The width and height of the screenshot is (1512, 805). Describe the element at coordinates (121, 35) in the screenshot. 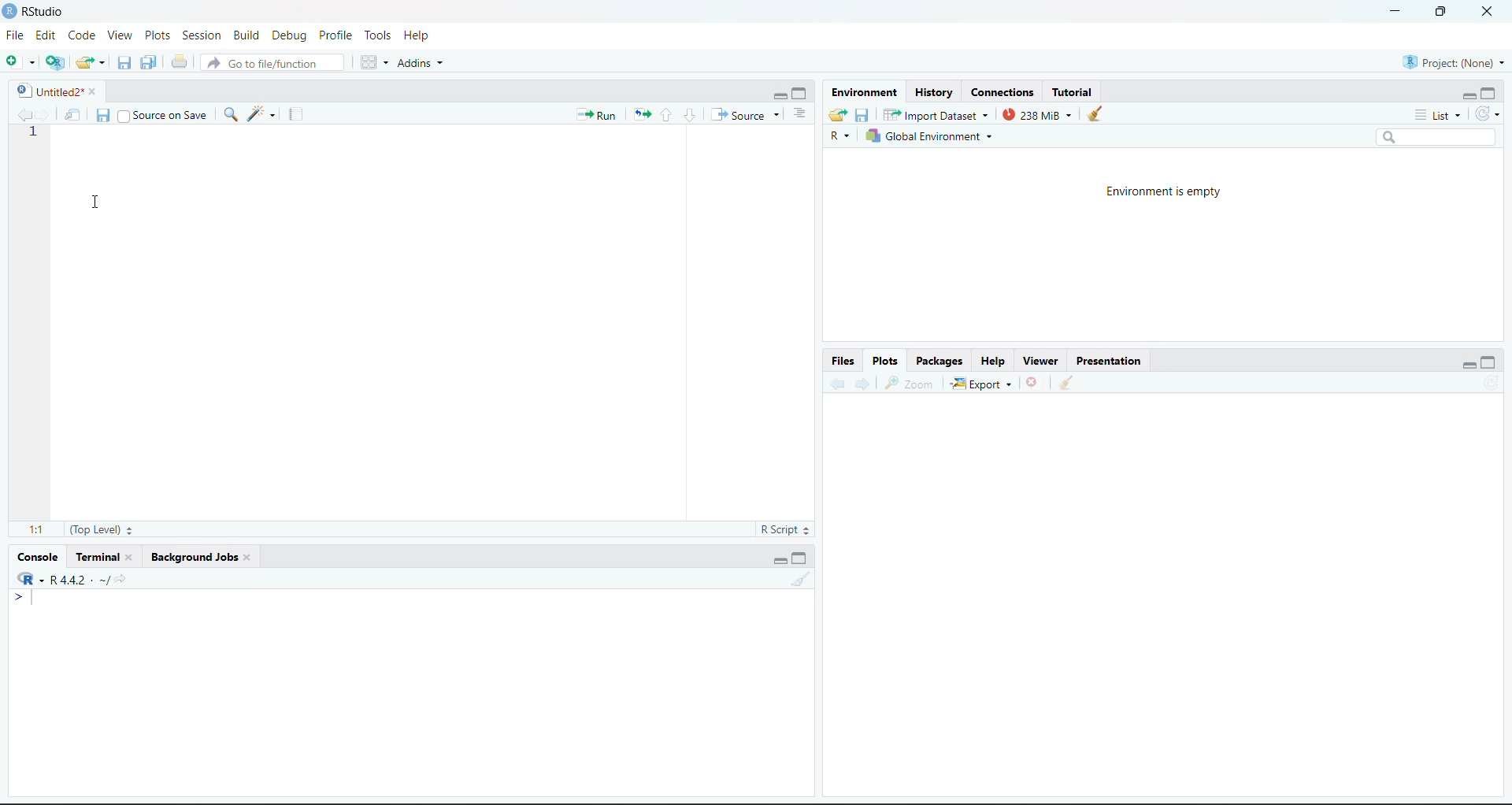

I see `View` at that location.